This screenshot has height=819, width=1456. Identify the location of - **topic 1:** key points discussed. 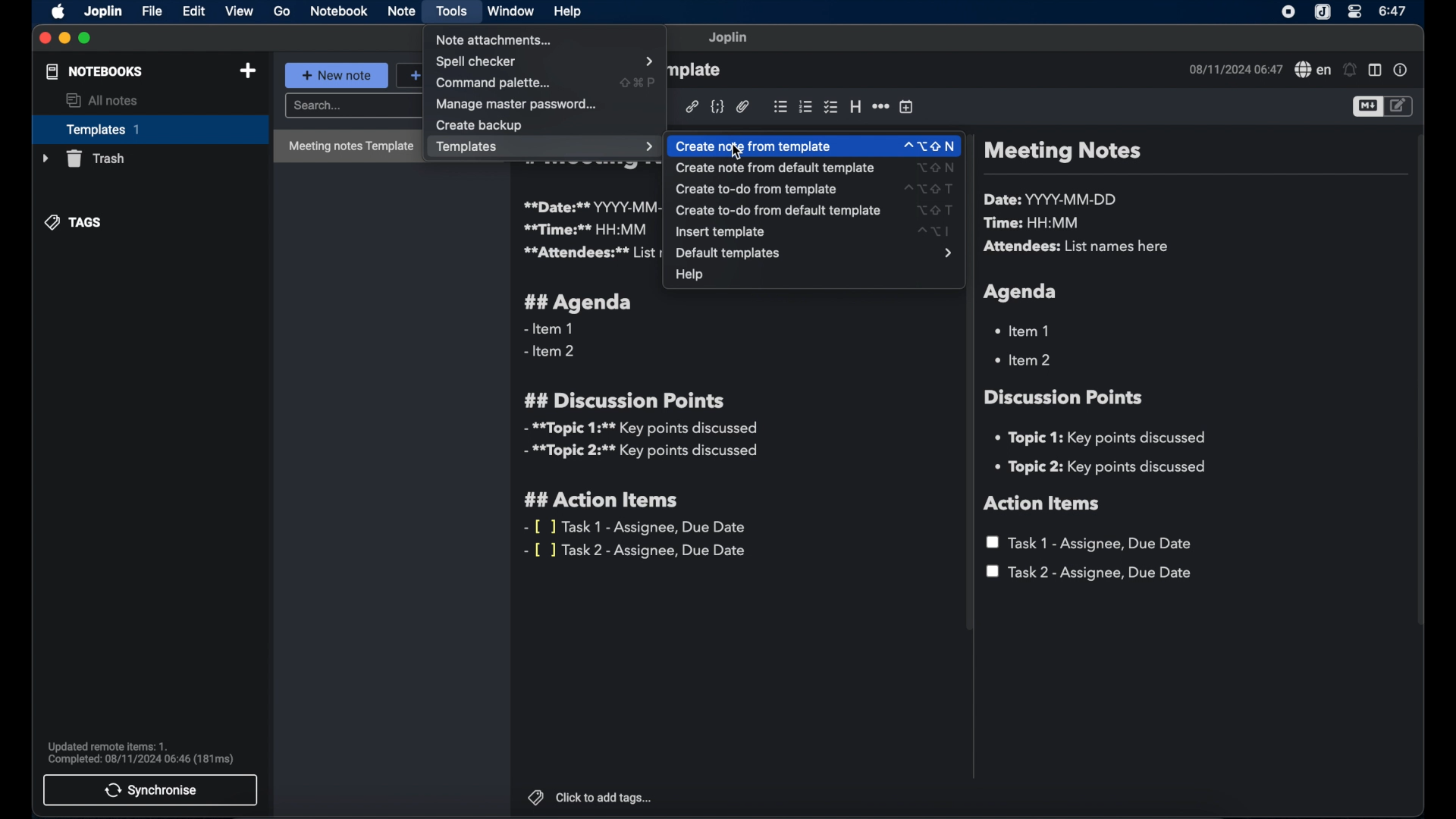
(639, 428).